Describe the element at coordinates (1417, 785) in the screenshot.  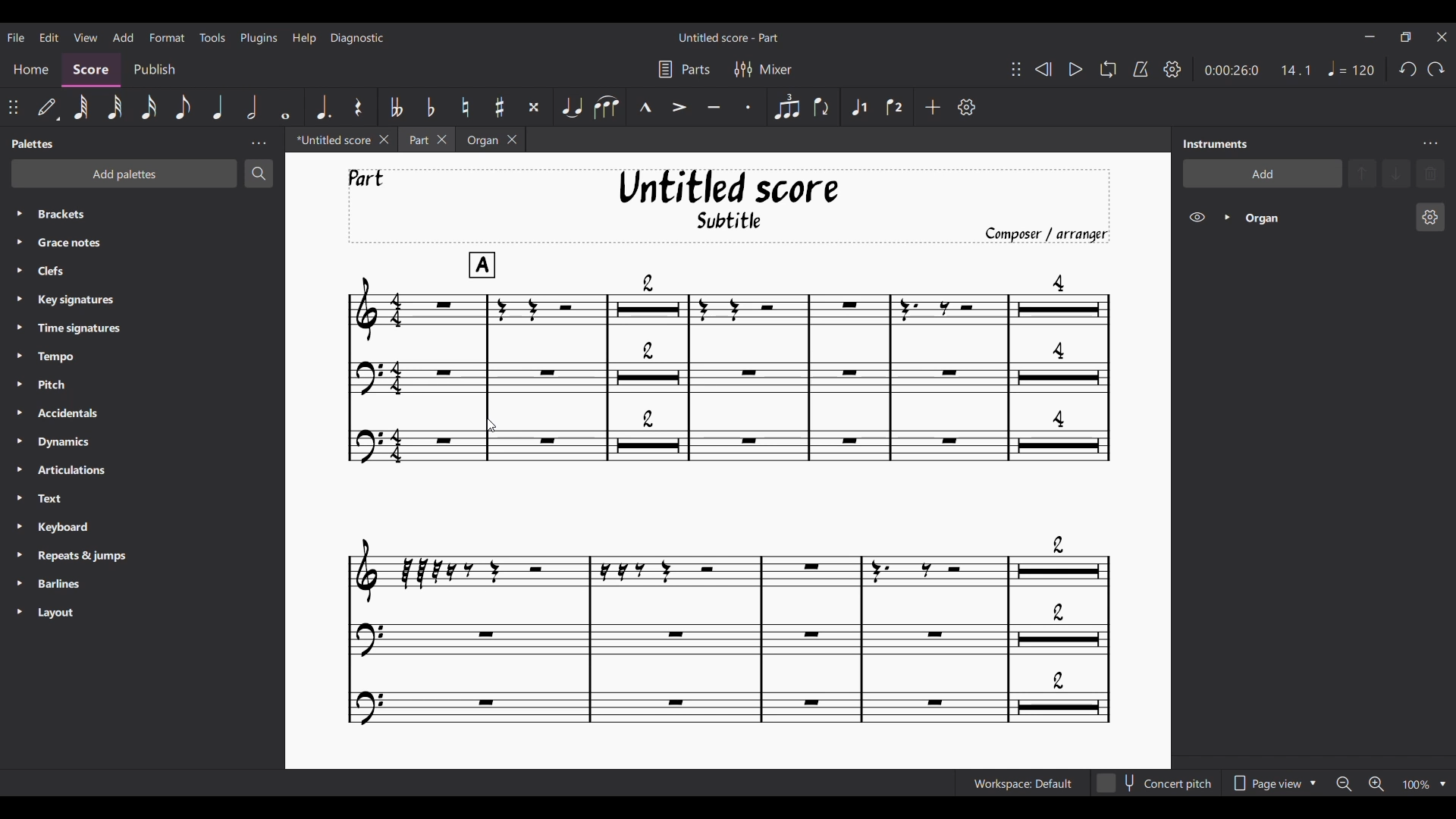
I see `Current zoom factor ` at that location.